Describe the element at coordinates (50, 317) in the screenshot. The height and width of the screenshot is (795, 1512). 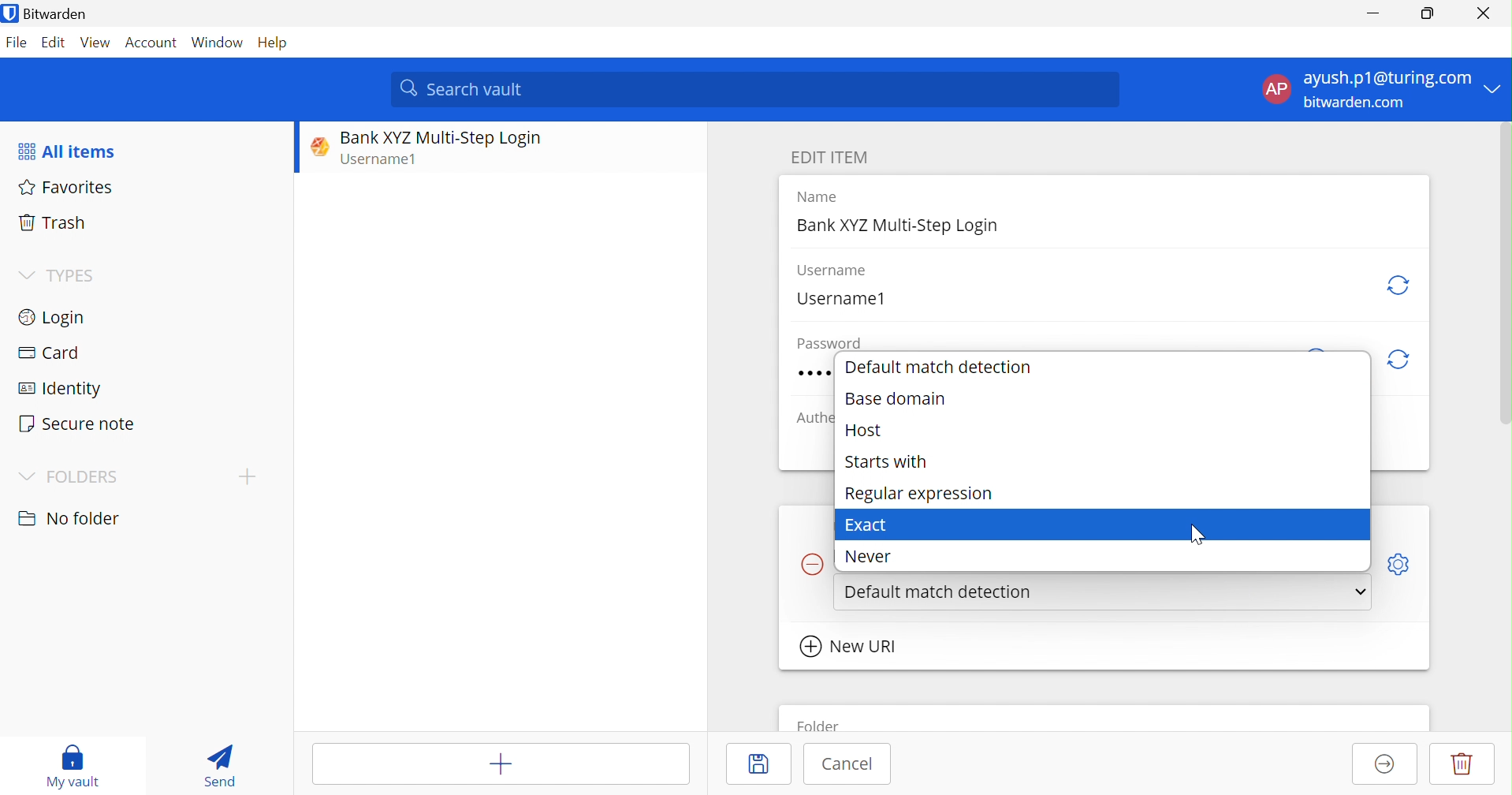
I see `Login` at that location.